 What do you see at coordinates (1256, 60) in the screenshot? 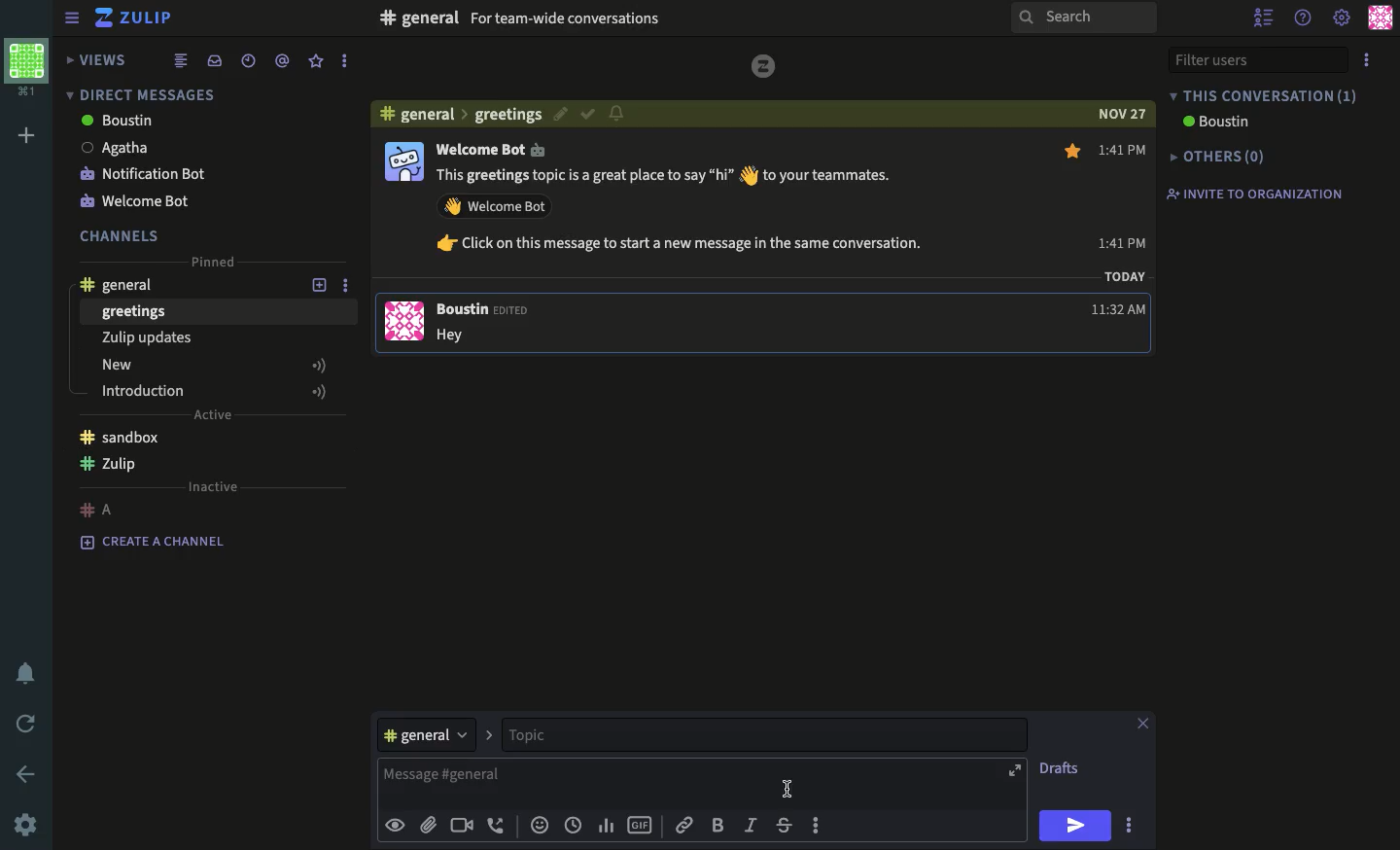
I see `filter users` at bounding box center [1256, 60].